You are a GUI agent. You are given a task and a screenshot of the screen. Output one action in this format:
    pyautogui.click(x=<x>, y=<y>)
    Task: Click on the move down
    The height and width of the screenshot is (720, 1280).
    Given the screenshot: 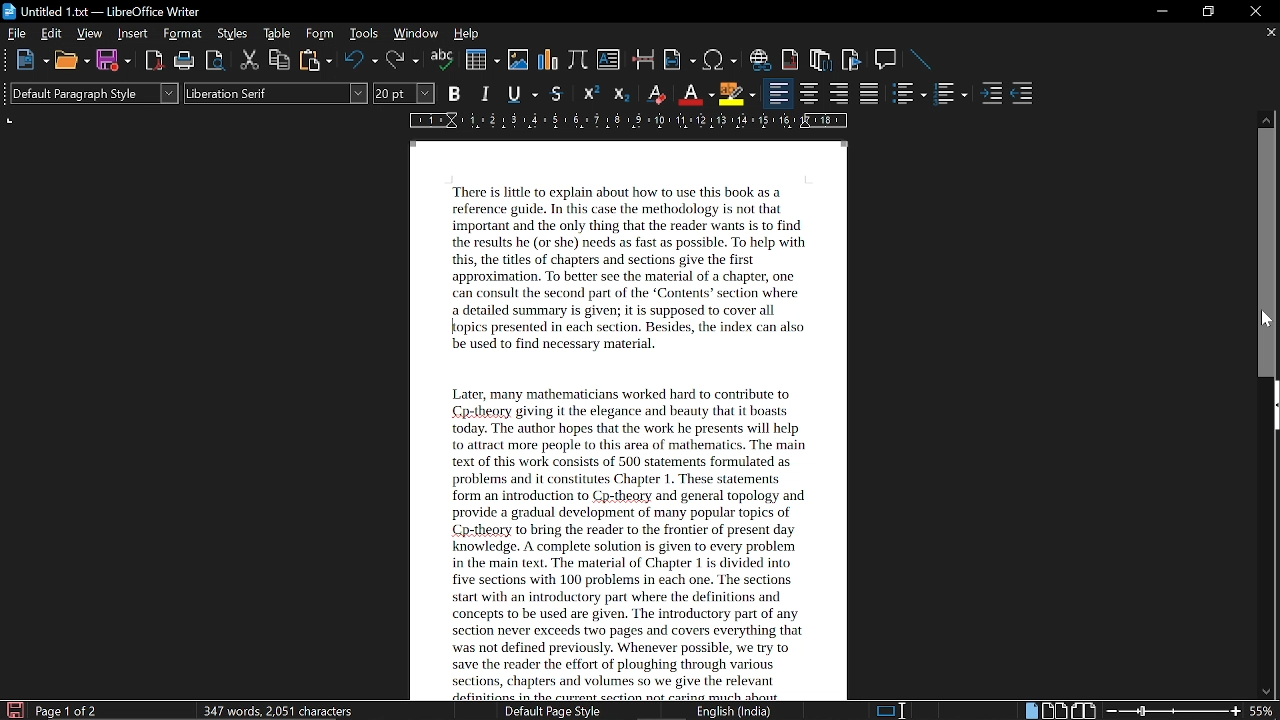 What is the action you would take?
    pyautogui.click(x=1267, y=693)
    